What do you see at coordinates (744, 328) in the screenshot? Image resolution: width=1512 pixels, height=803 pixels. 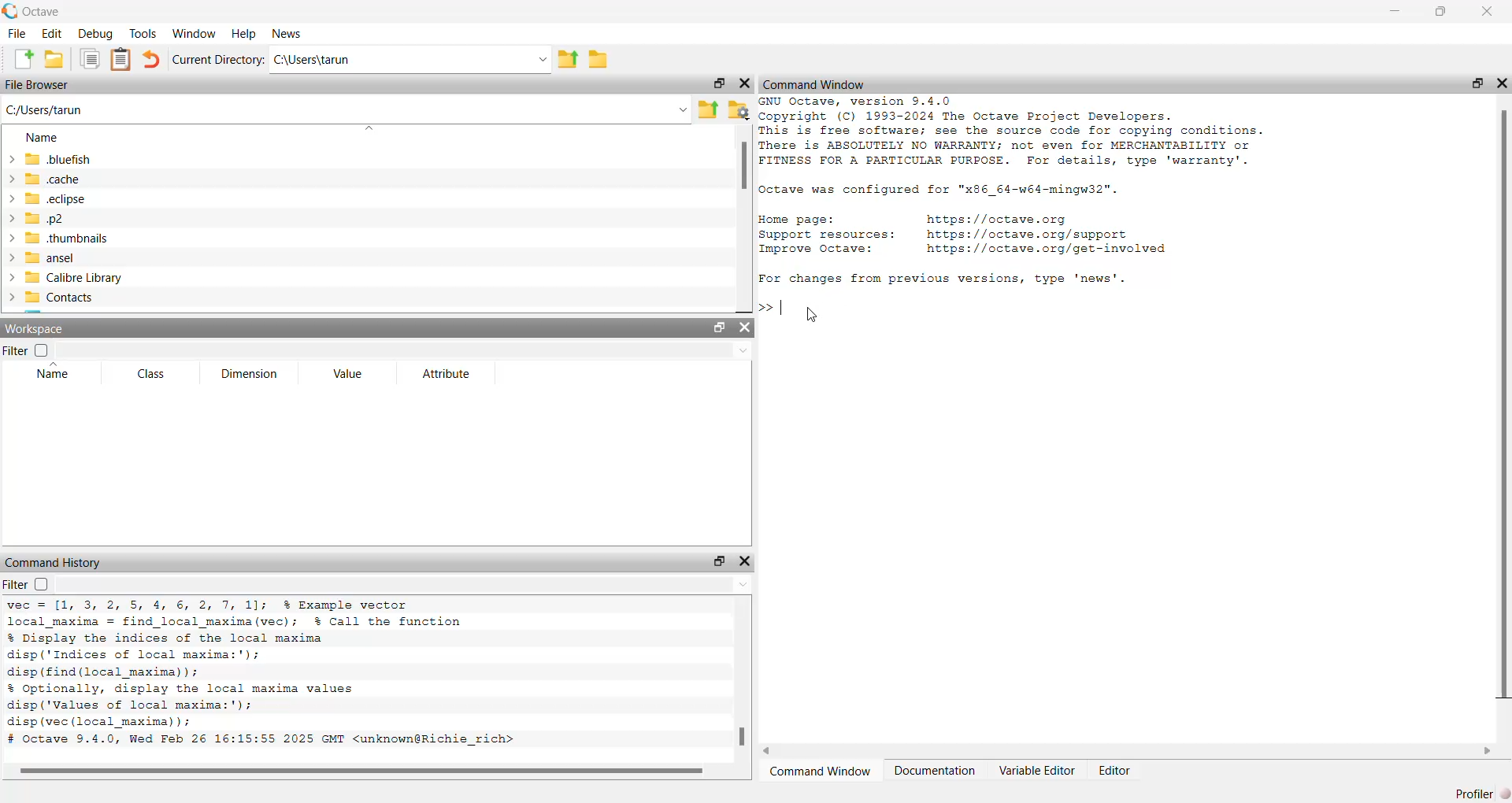 I see `Hide Widget` at bounding box center [744, 328].